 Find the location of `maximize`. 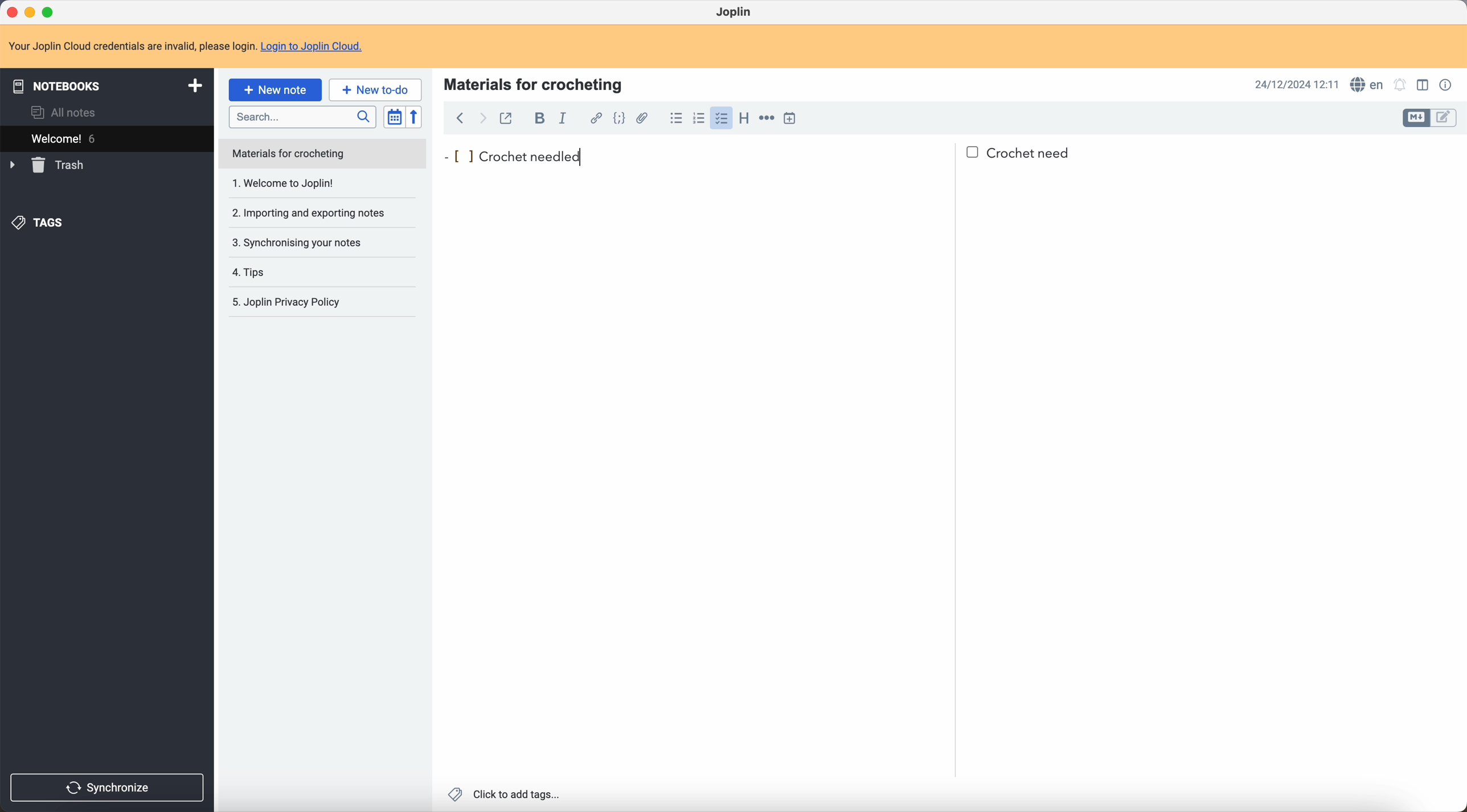

maximize is located at coordinates (51, 13).